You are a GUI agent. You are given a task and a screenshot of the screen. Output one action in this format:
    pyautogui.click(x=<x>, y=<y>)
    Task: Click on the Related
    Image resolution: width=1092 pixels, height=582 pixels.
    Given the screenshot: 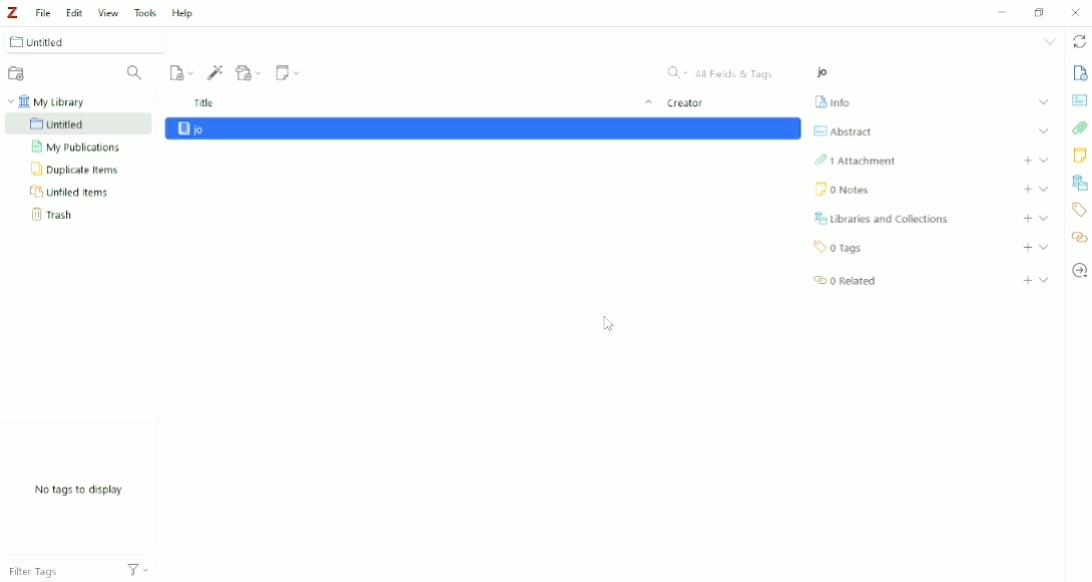 What is the action you would take?
    pyautogui.click(x=1078, y=237)
    